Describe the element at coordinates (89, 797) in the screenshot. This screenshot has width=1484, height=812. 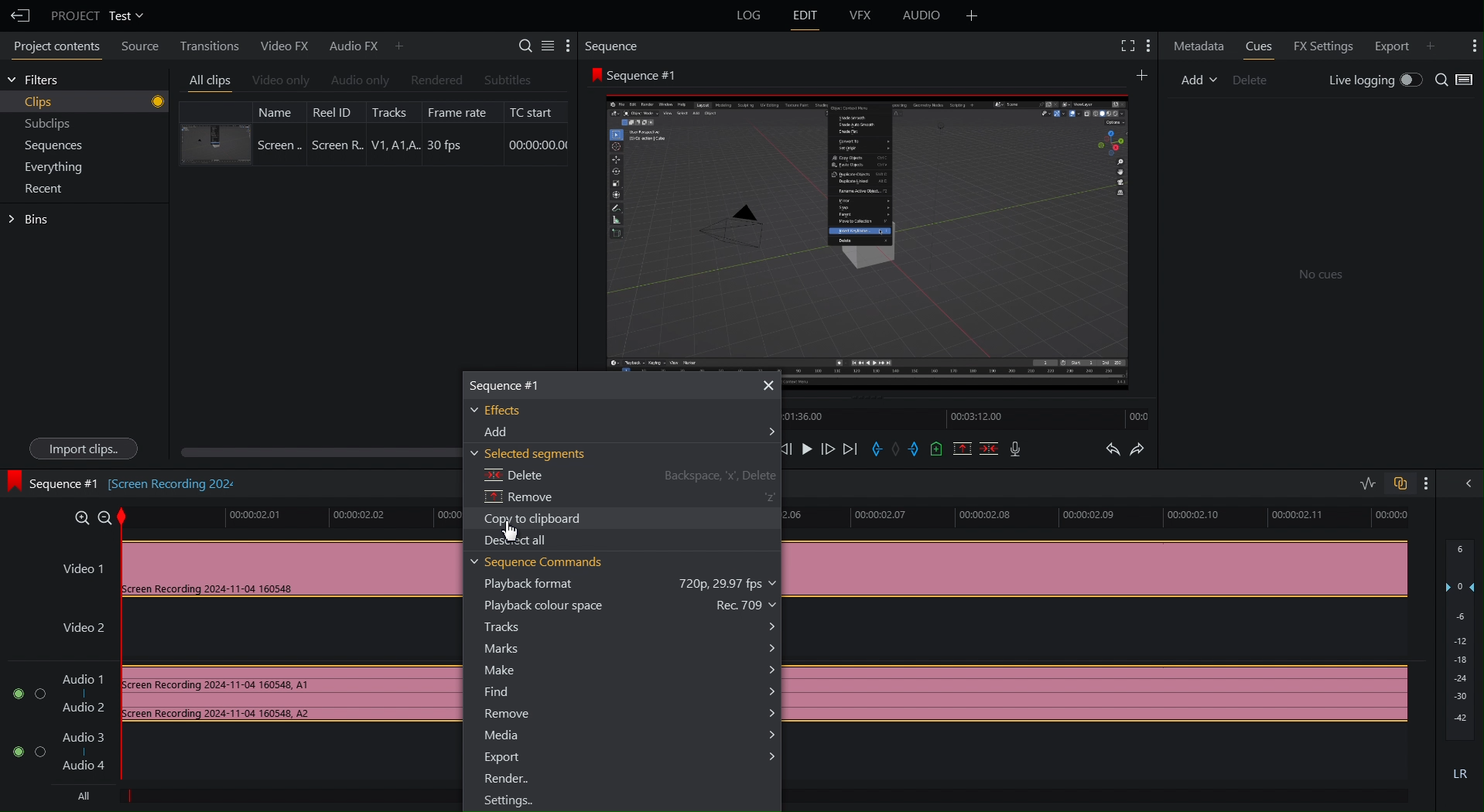
I see `All` at that location.